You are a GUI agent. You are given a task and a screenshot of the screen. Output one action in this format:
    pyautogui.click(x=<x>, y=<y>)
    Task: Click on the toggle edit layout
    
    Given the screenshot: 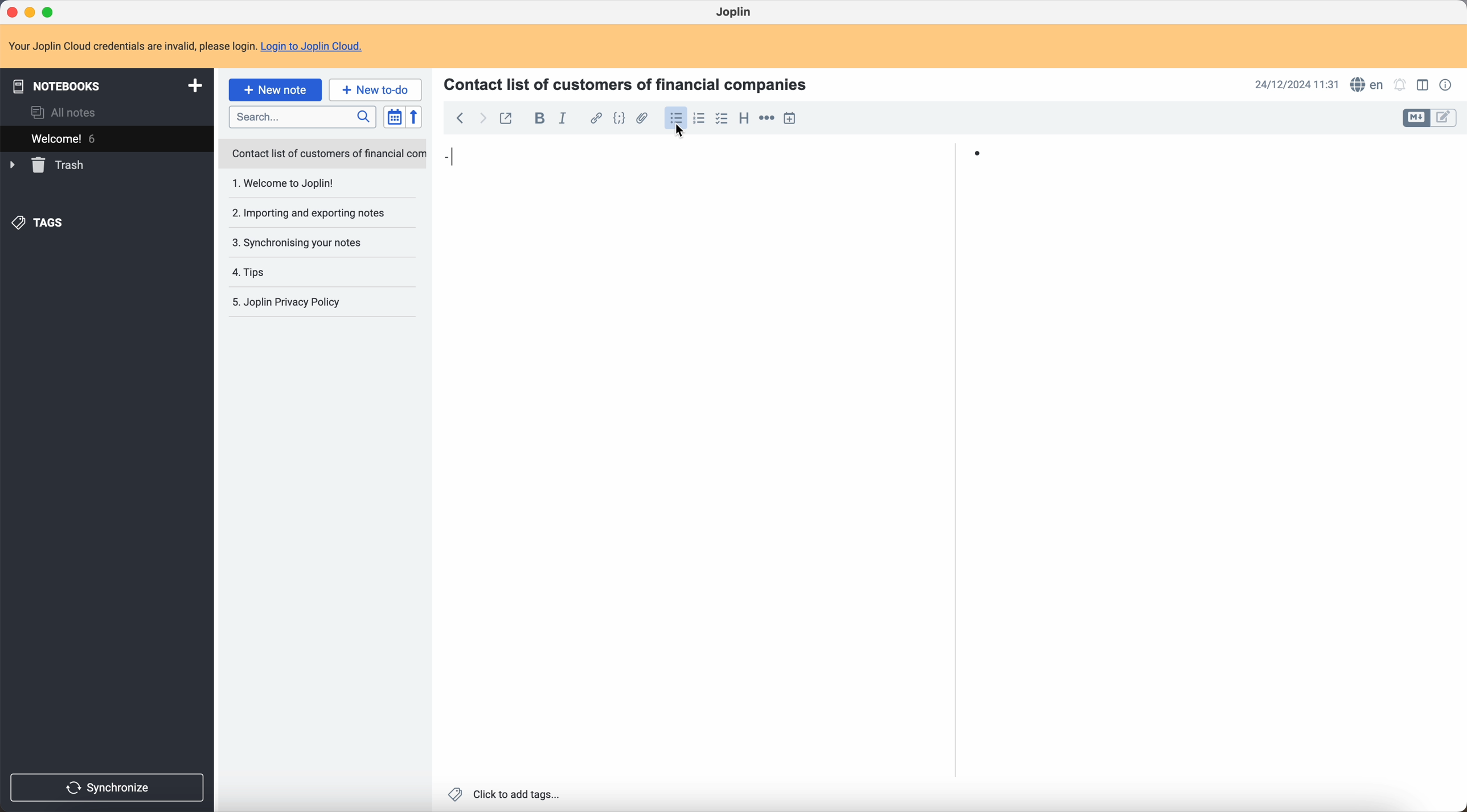 What is the action you would take?
    pyautogui.click(x=1417, y=118)
    